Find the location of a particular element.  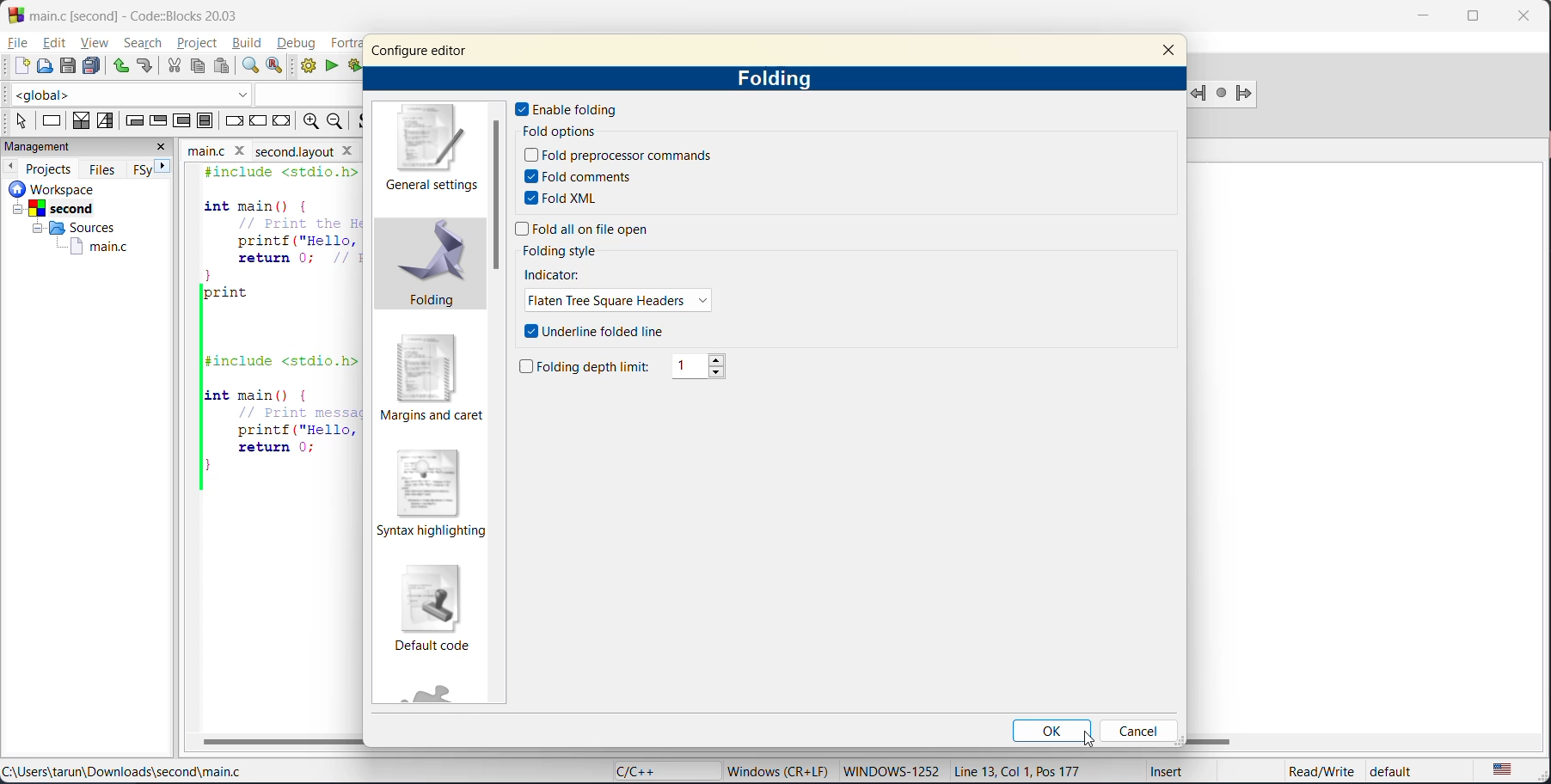

project is located at coordinates (197, 43).